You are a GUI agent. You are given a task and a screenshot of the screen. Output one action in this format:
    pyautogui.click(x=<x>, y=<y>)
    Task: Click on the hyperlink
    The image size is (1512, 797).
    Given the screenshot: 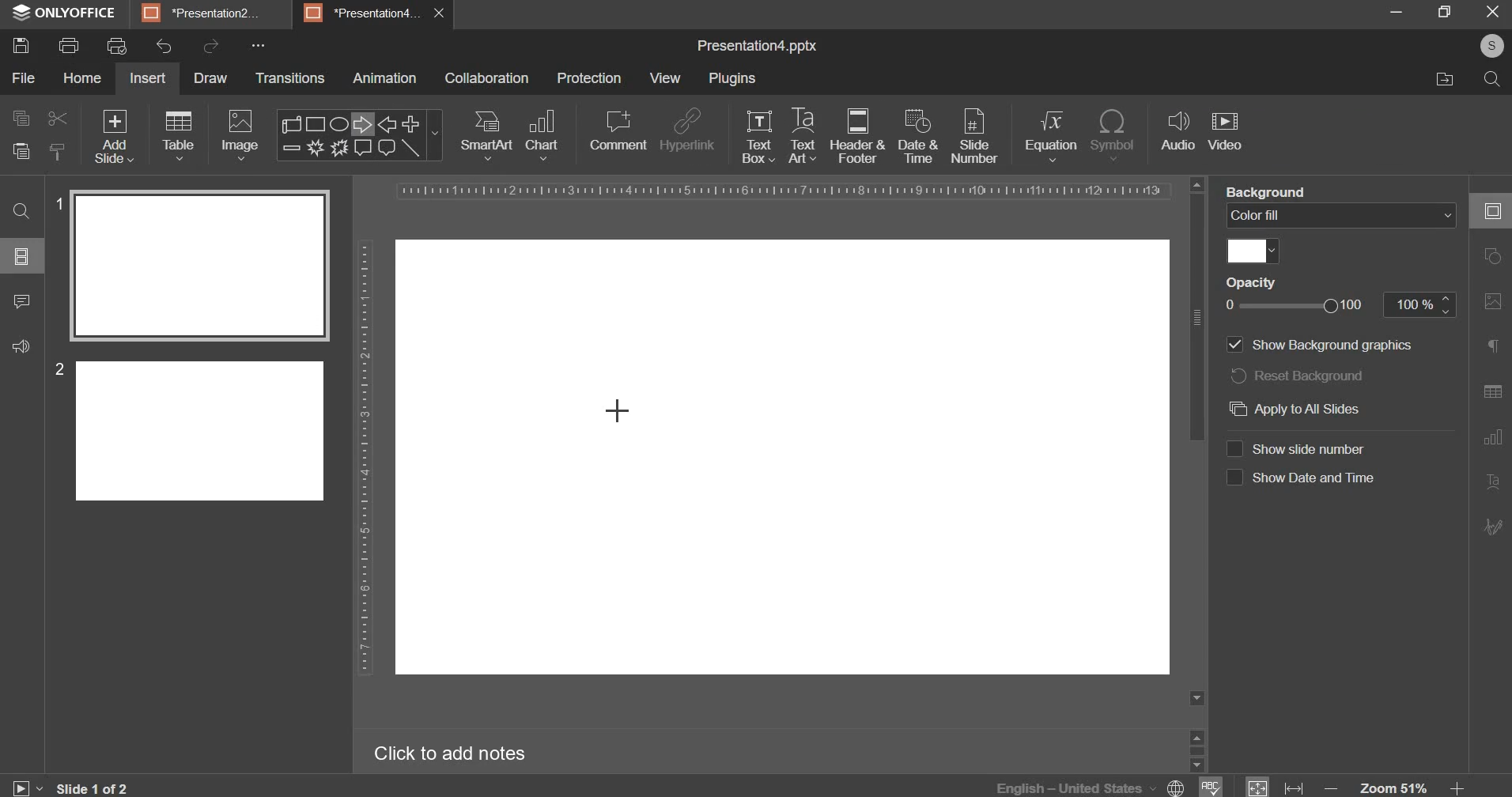 What is the action you would take?
    pyautogui.click(x=687, y=132)
    